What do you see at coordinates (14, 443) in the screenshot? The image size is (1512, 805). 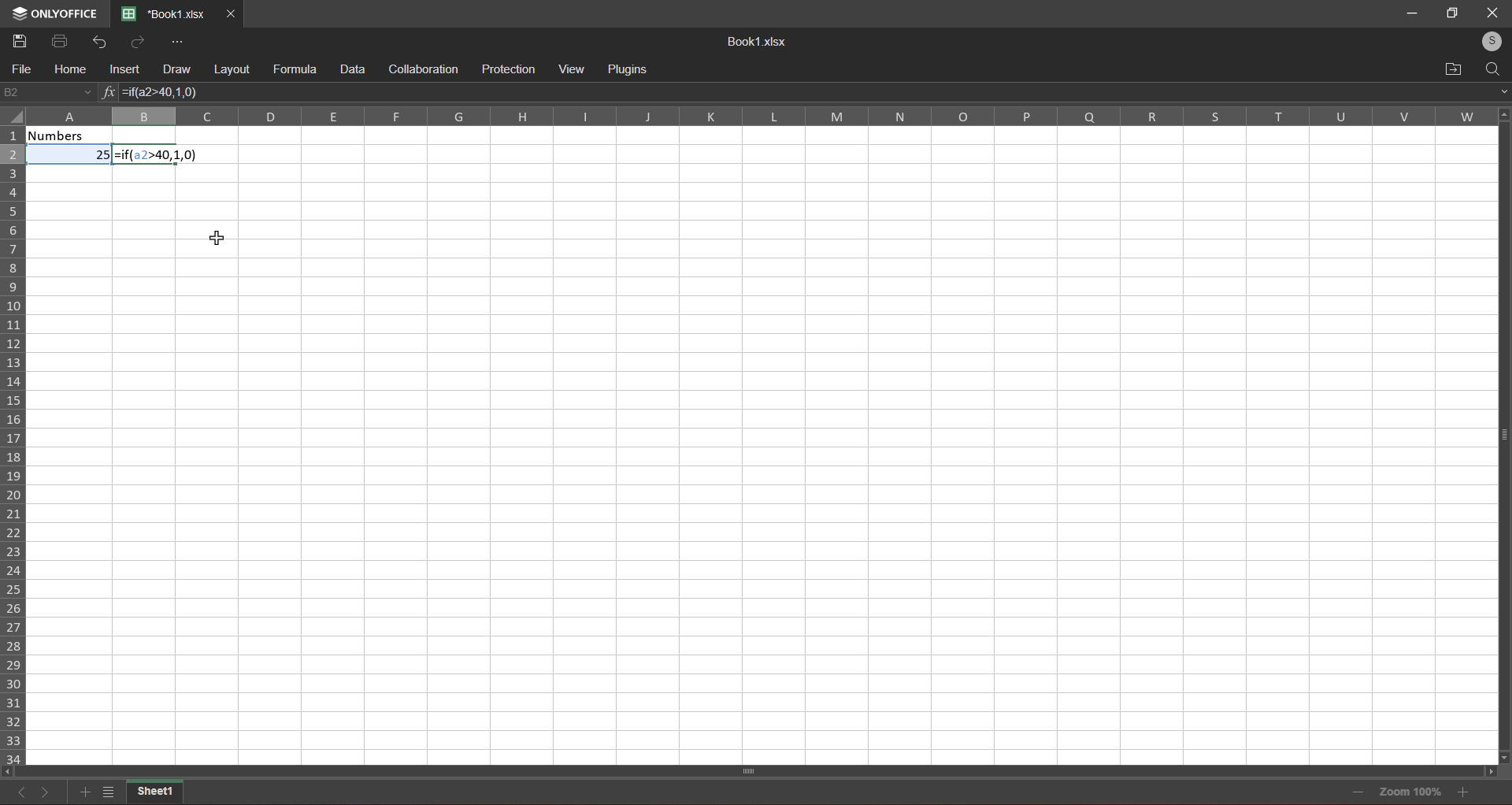 I see `row labels` at bounding box center [14, 443].